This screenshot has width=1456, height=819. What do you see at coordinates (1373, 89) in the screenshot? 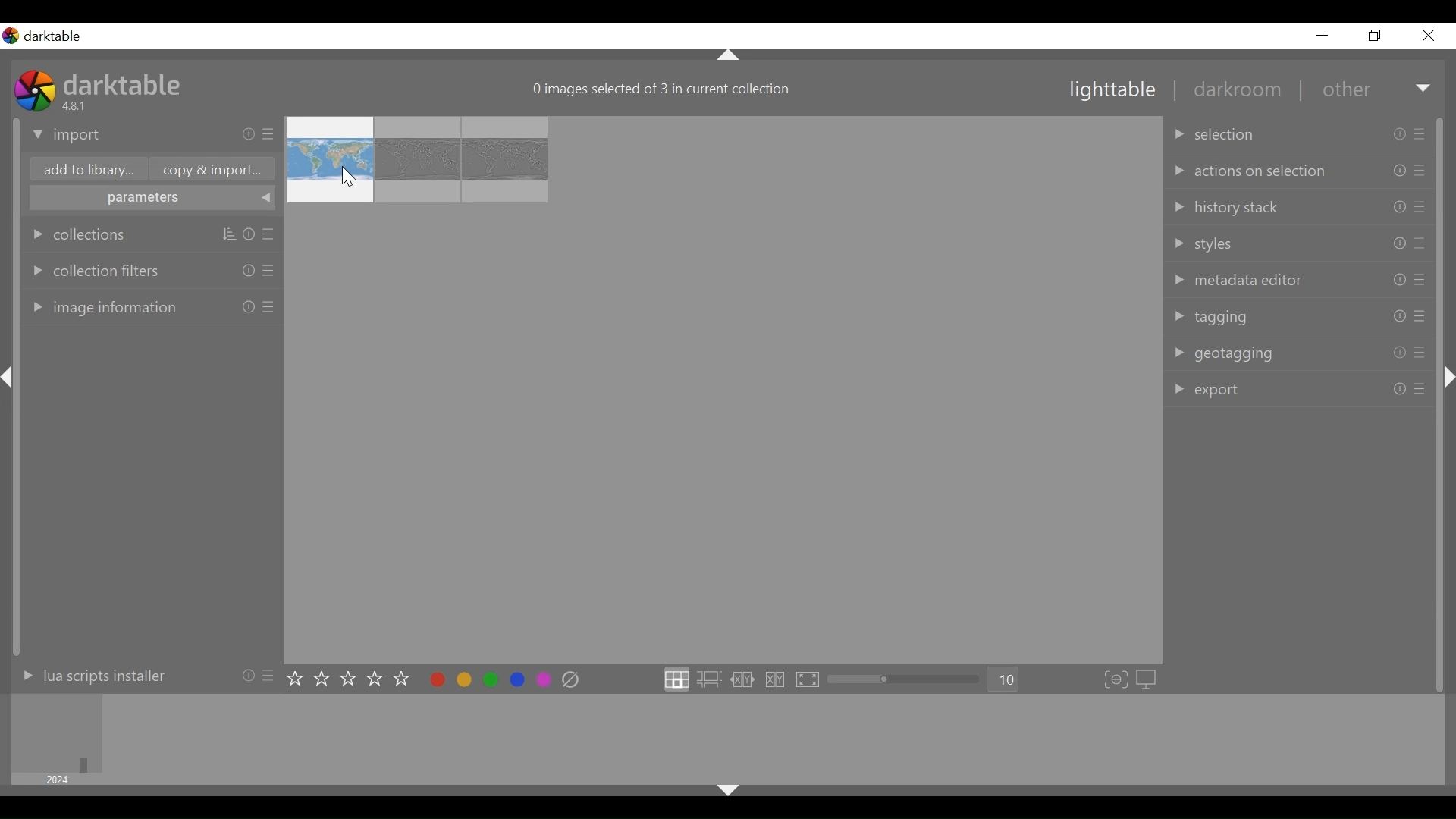
I see `other` at bounding box center [1373, 89].